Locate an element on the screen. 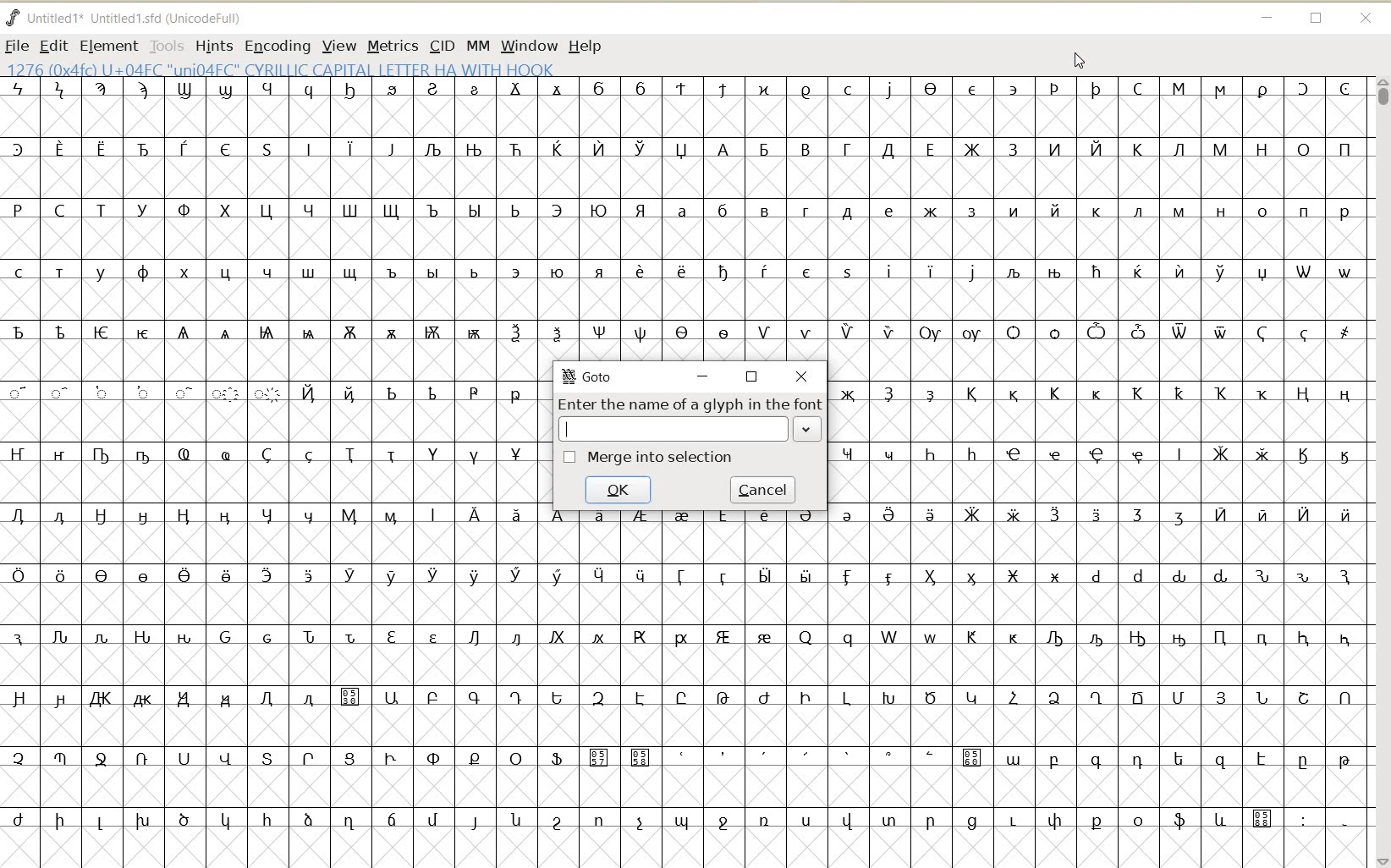  cancel is located at coordinates (764, 490).